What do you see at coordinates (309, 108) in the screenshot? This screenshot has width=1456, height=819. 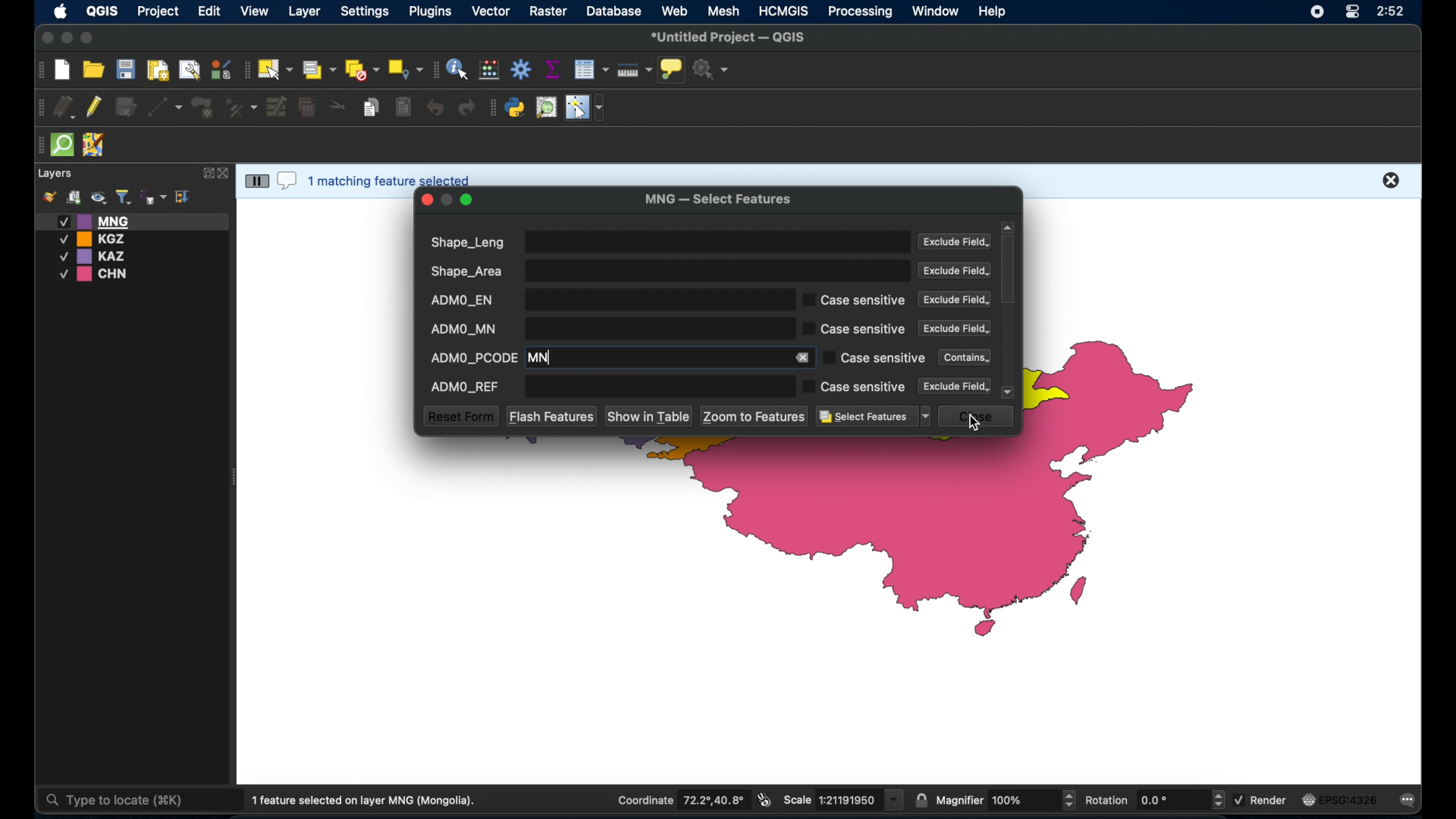 I see `delete selected ` at bounding box center [309, 108].